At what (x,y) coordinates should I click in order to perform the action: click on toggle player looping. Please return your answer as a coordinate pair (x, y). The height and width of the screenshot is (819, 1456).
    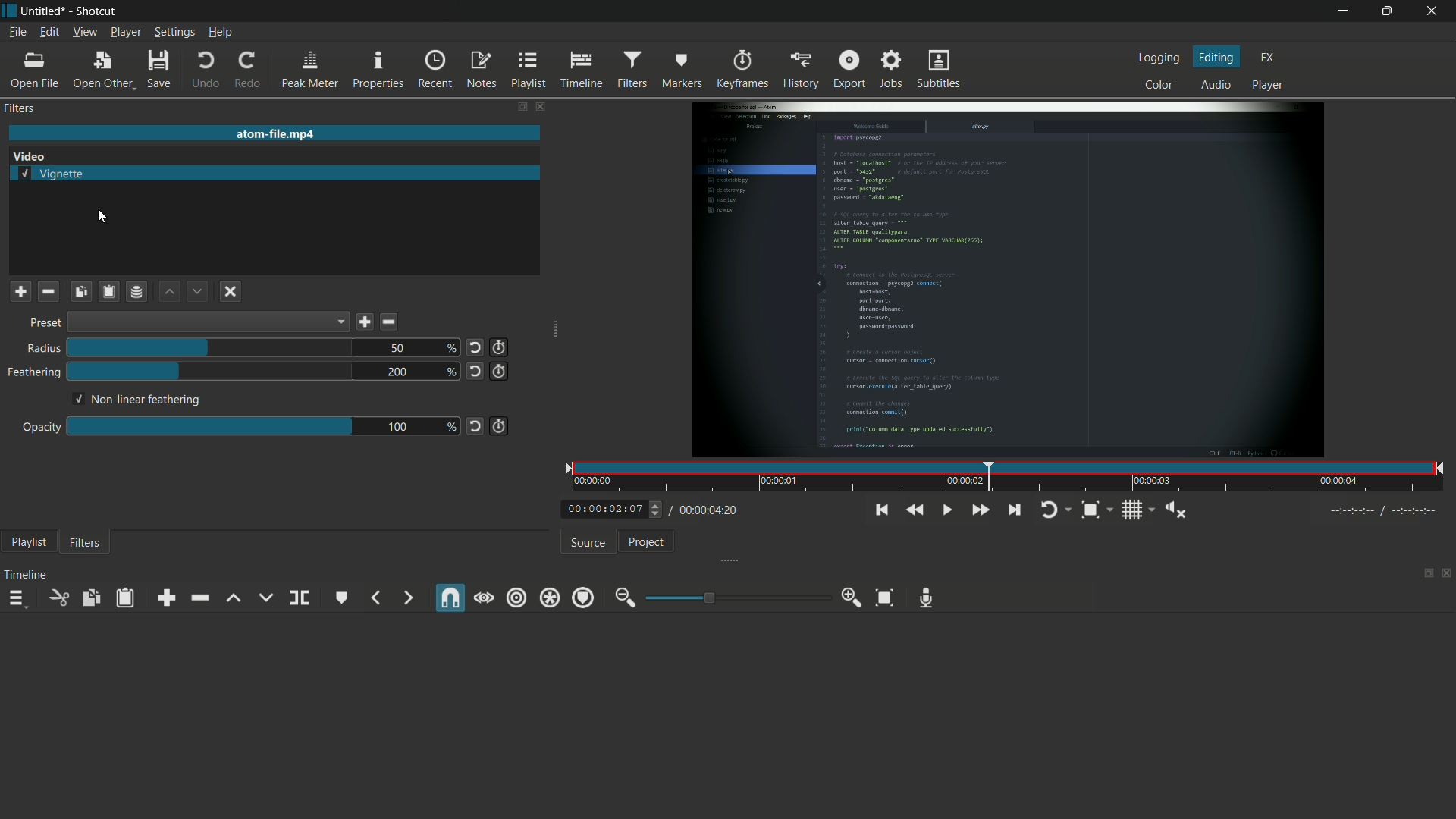
    Looking at the image, I should click on (1056, 510).